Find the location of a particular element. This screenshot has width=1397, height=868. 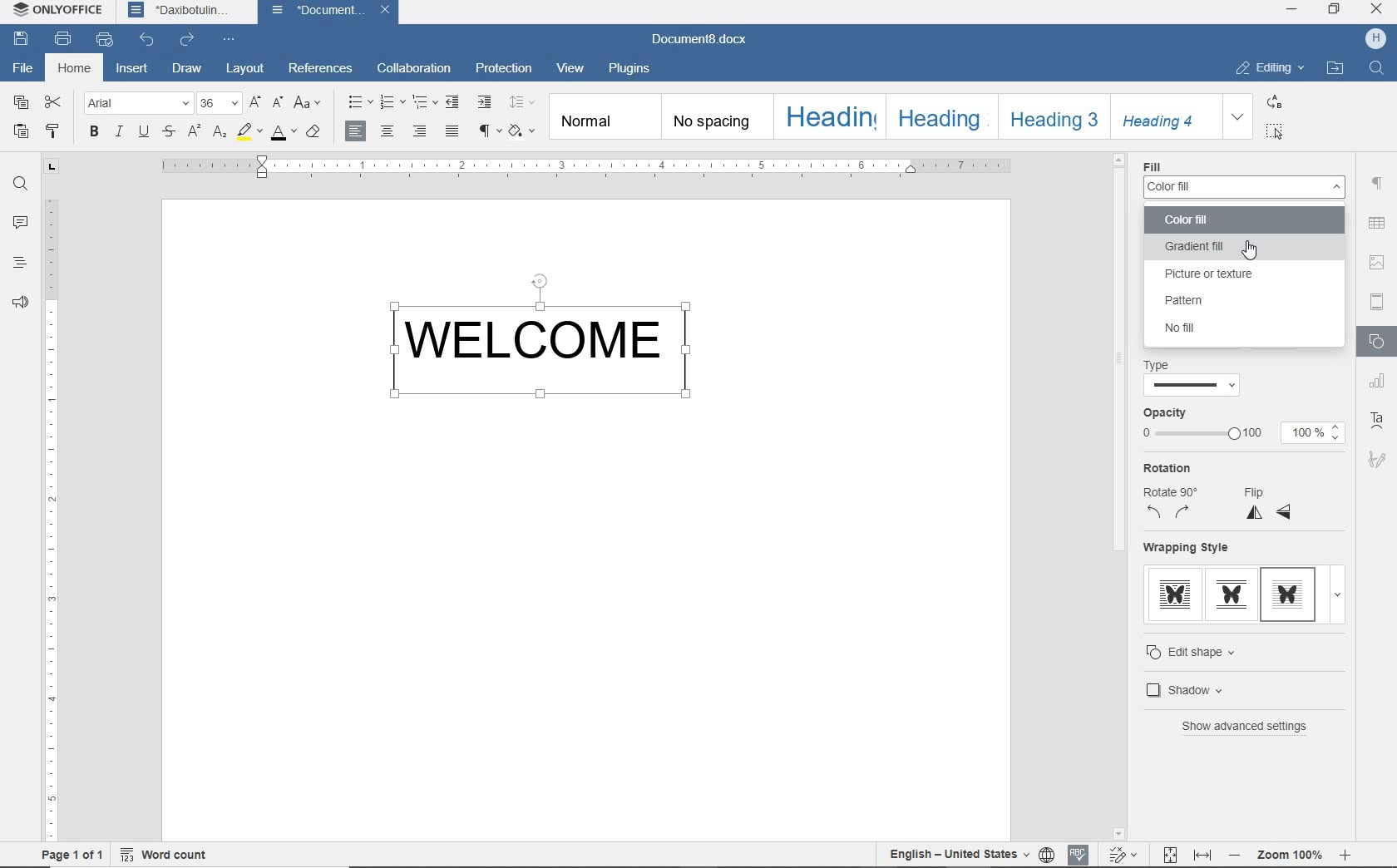

FIT TO WIDTH is located at coordinates (1204, 856).